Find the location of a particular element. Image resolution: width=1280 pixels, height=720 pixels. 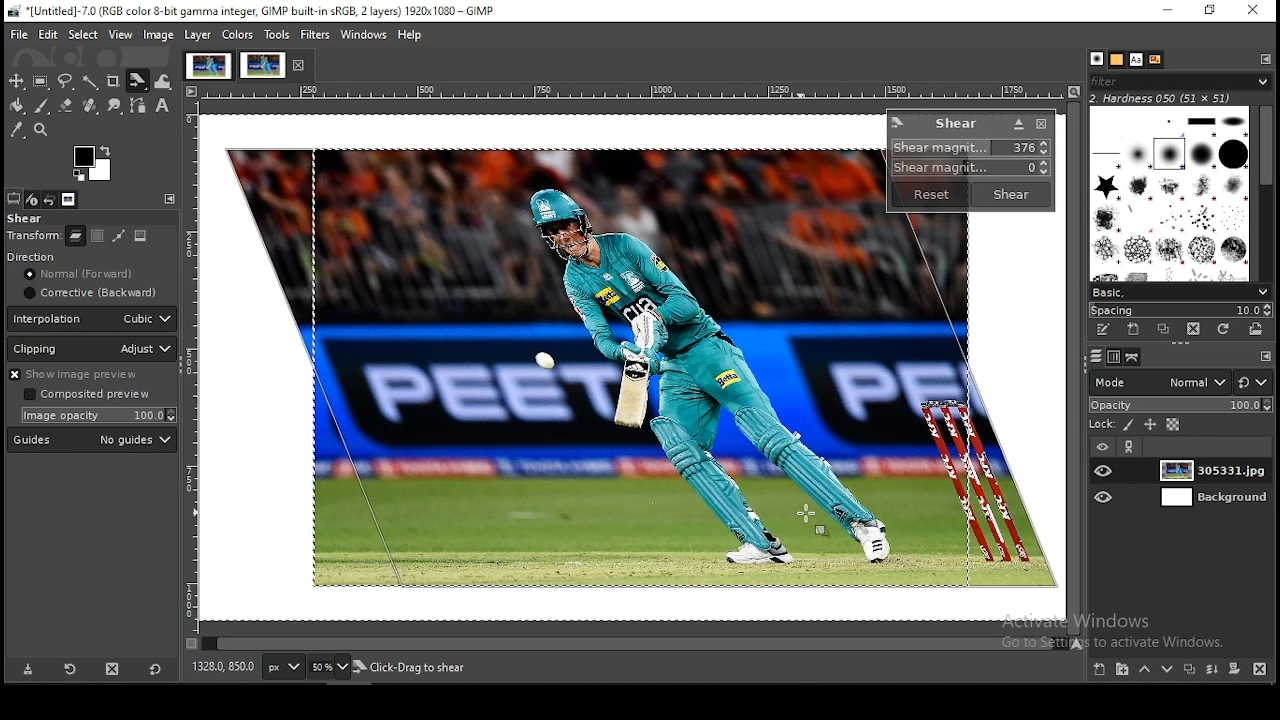

logo is located at coordinates (898, 122).